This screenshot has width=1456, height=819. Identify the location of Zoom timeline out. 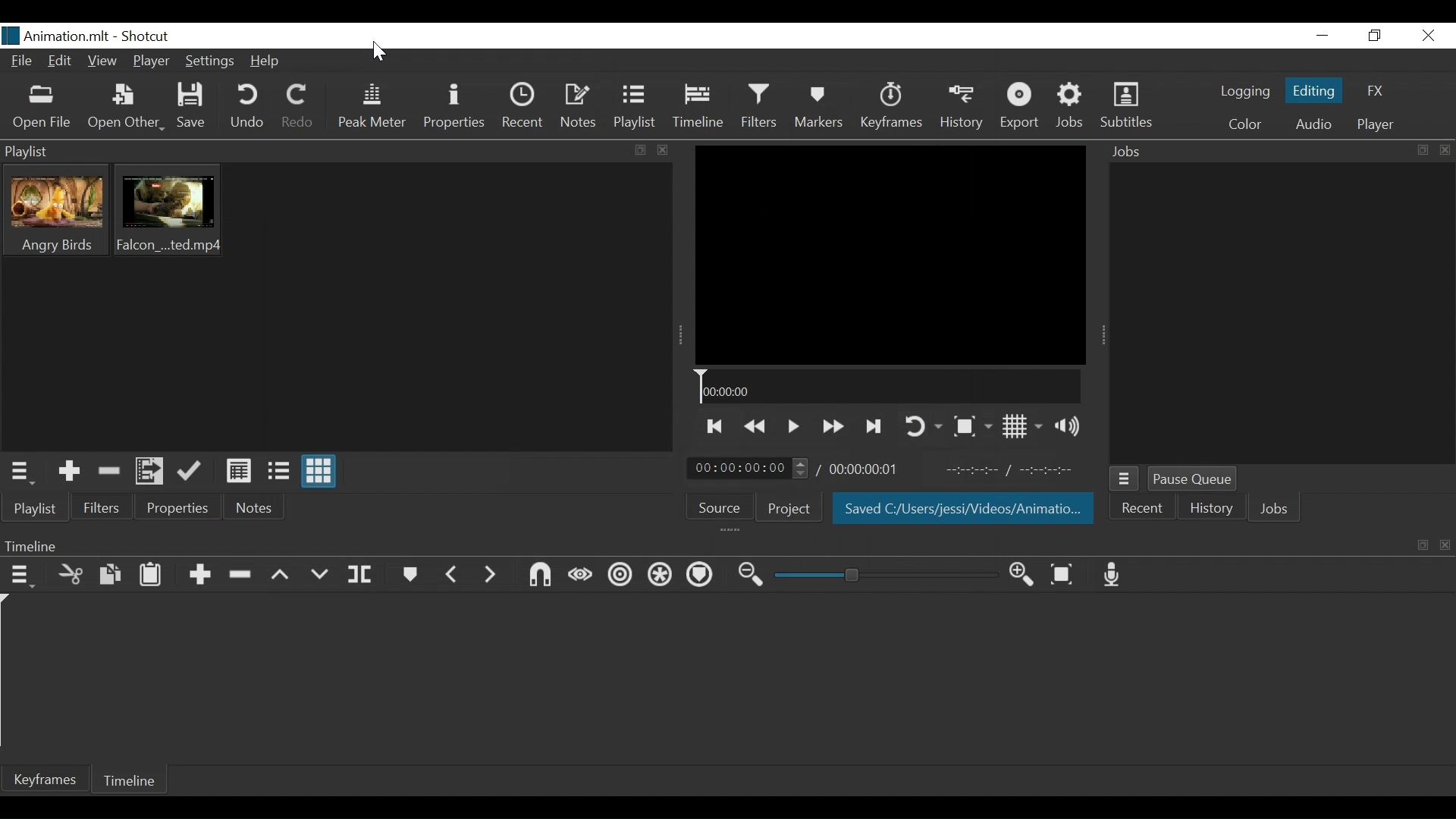
(752, 574).